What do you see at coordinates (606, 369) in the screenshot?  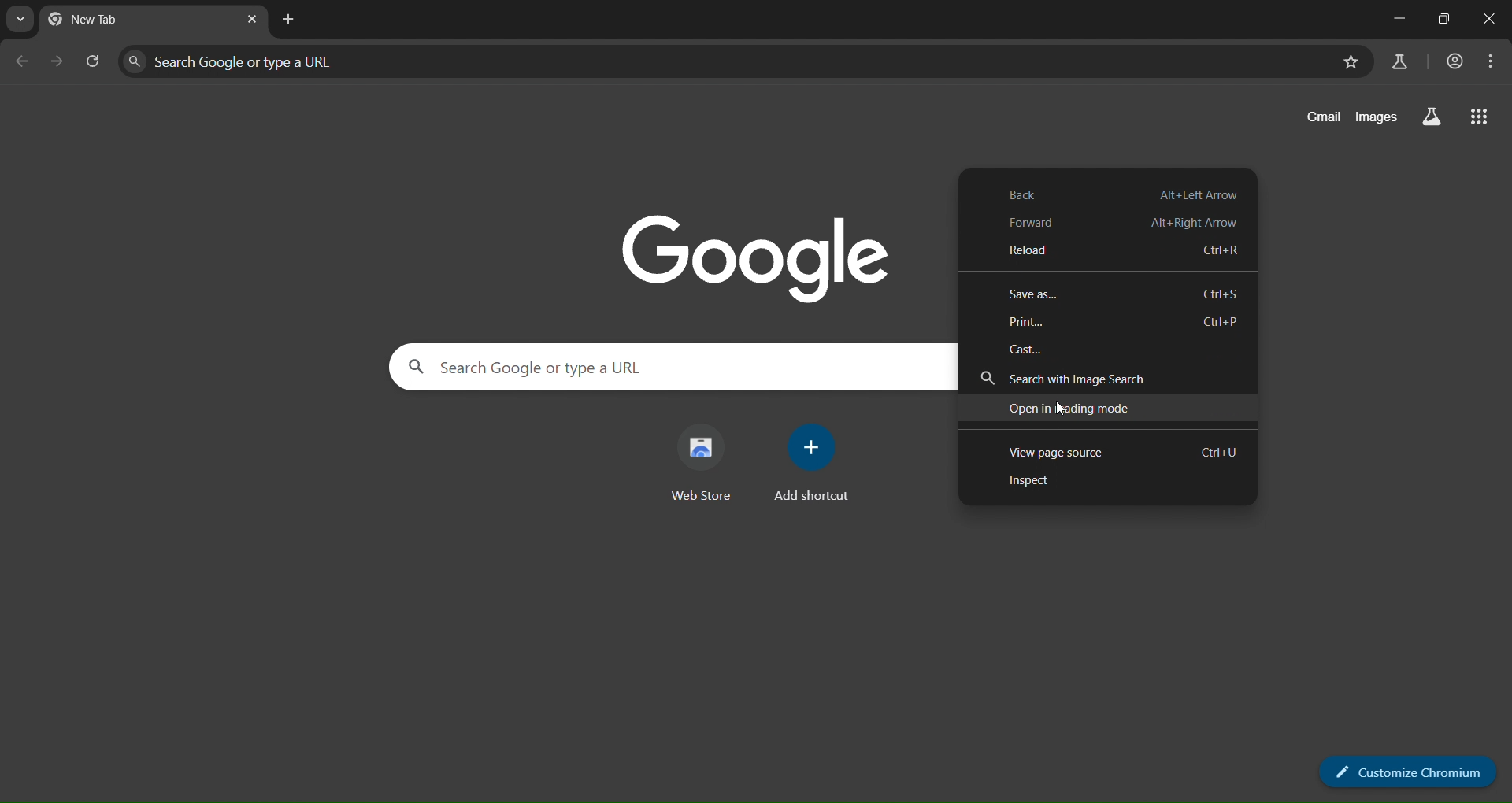 I see `search panel` at bounding box center [606, 369].